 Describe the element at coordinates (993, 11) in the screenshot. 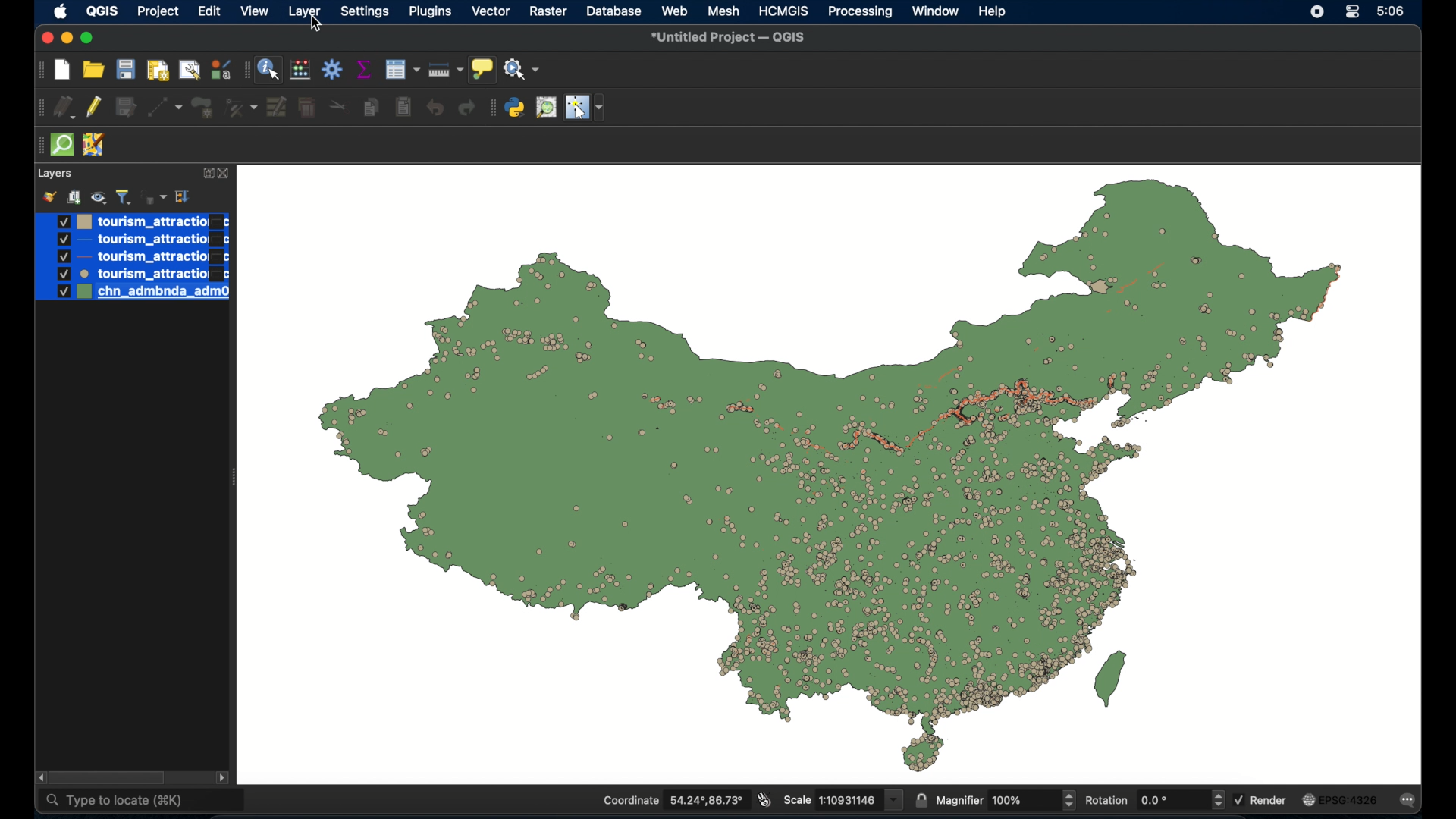

I see `help` at that location.